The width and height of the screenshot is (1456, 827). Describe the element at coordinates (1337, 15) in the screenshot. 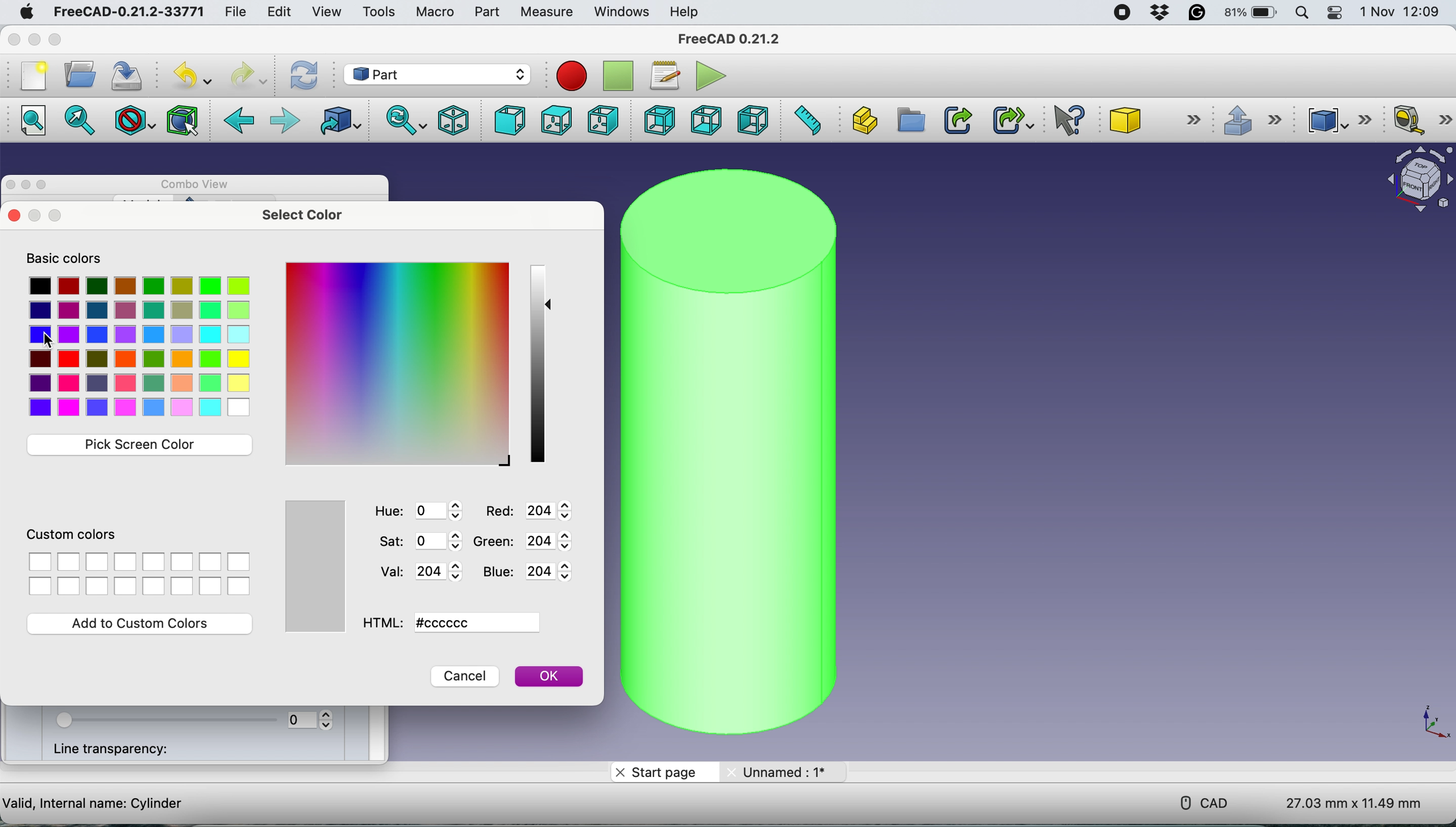

I see `control center` at that location.